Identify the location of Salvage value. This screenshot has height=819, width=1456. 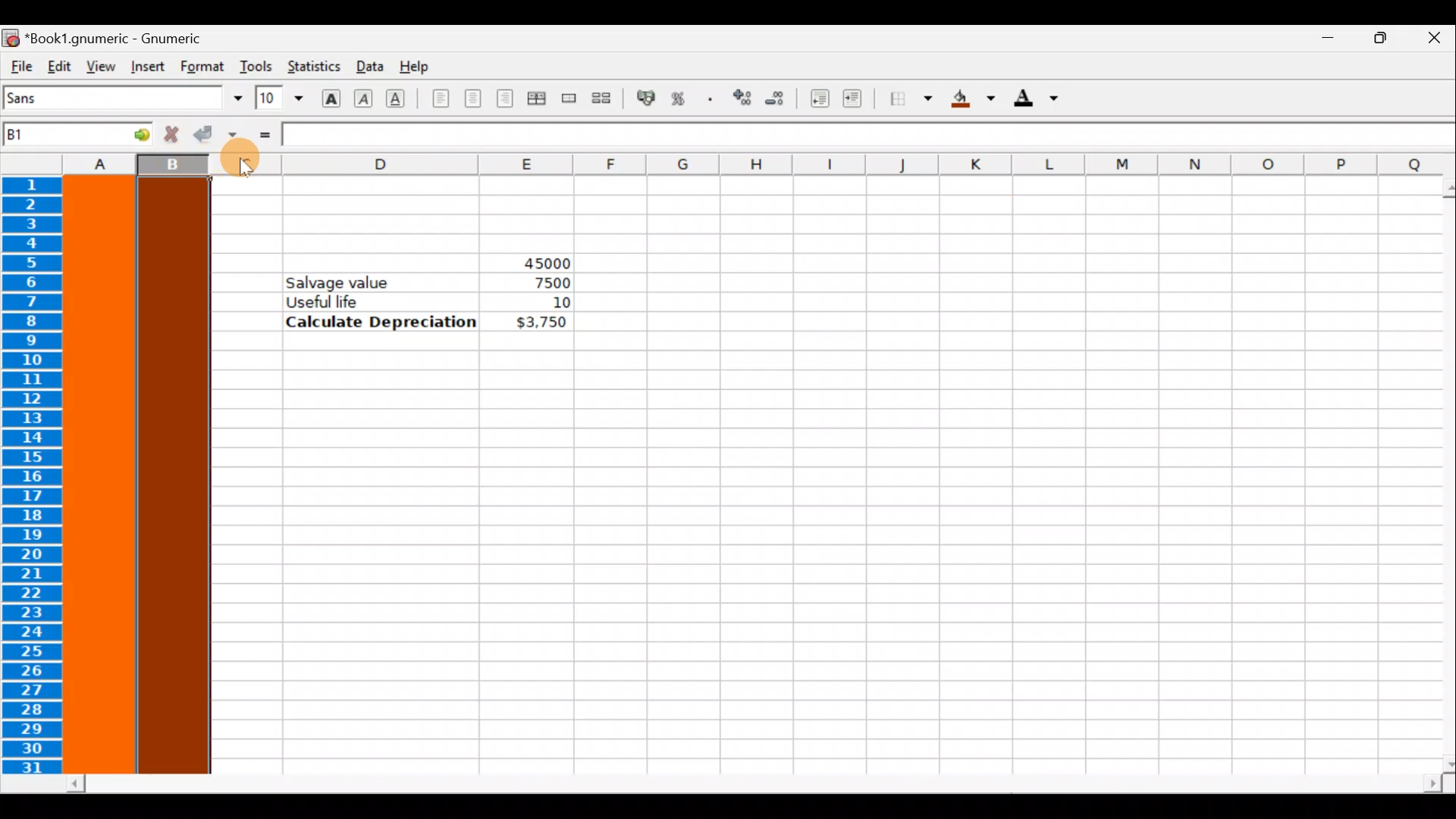
(347, 281).